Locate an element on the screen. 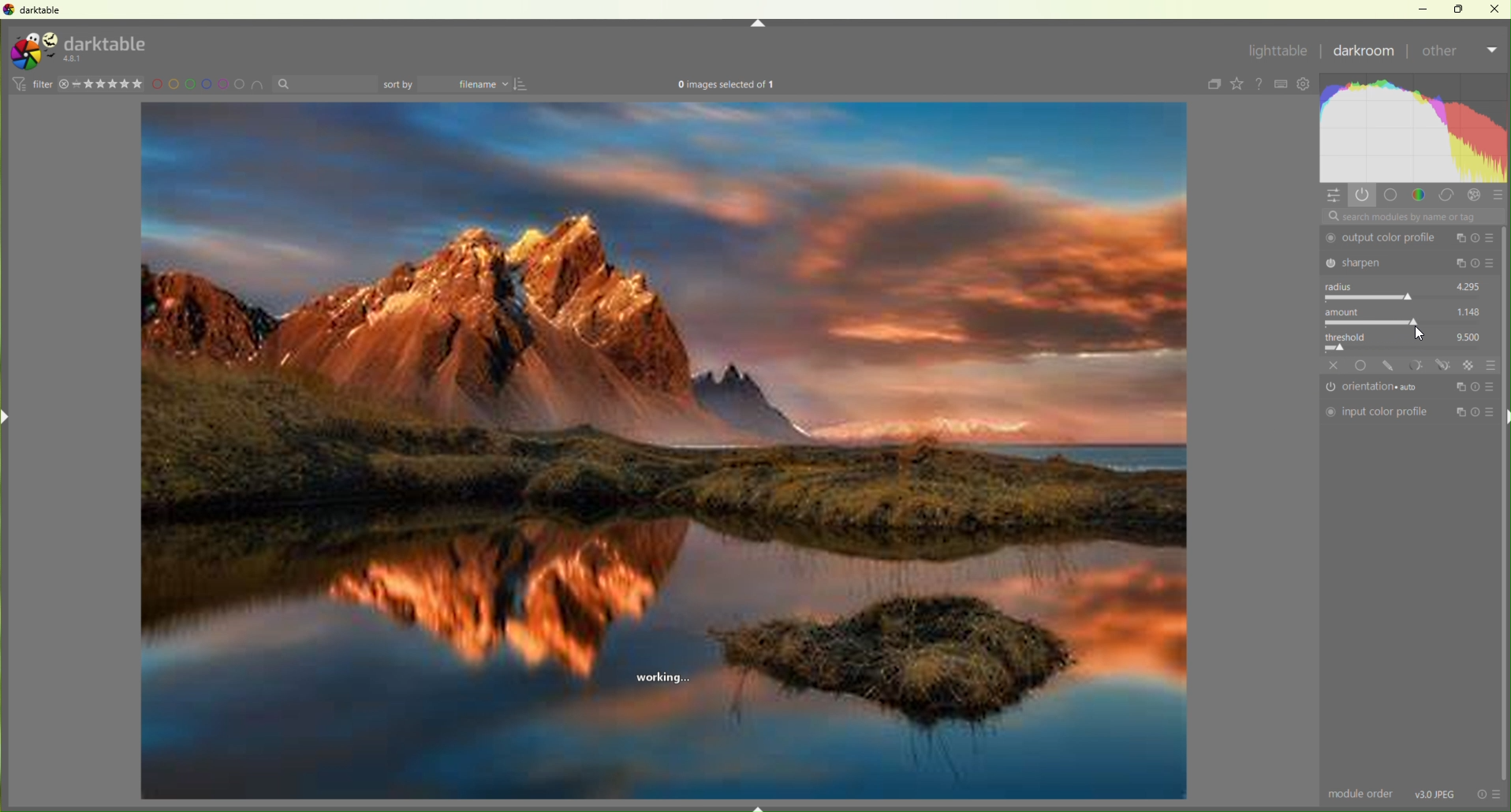 The width and height of the screenshot is (1511, 812). value is located at coordinates (1469, 285).